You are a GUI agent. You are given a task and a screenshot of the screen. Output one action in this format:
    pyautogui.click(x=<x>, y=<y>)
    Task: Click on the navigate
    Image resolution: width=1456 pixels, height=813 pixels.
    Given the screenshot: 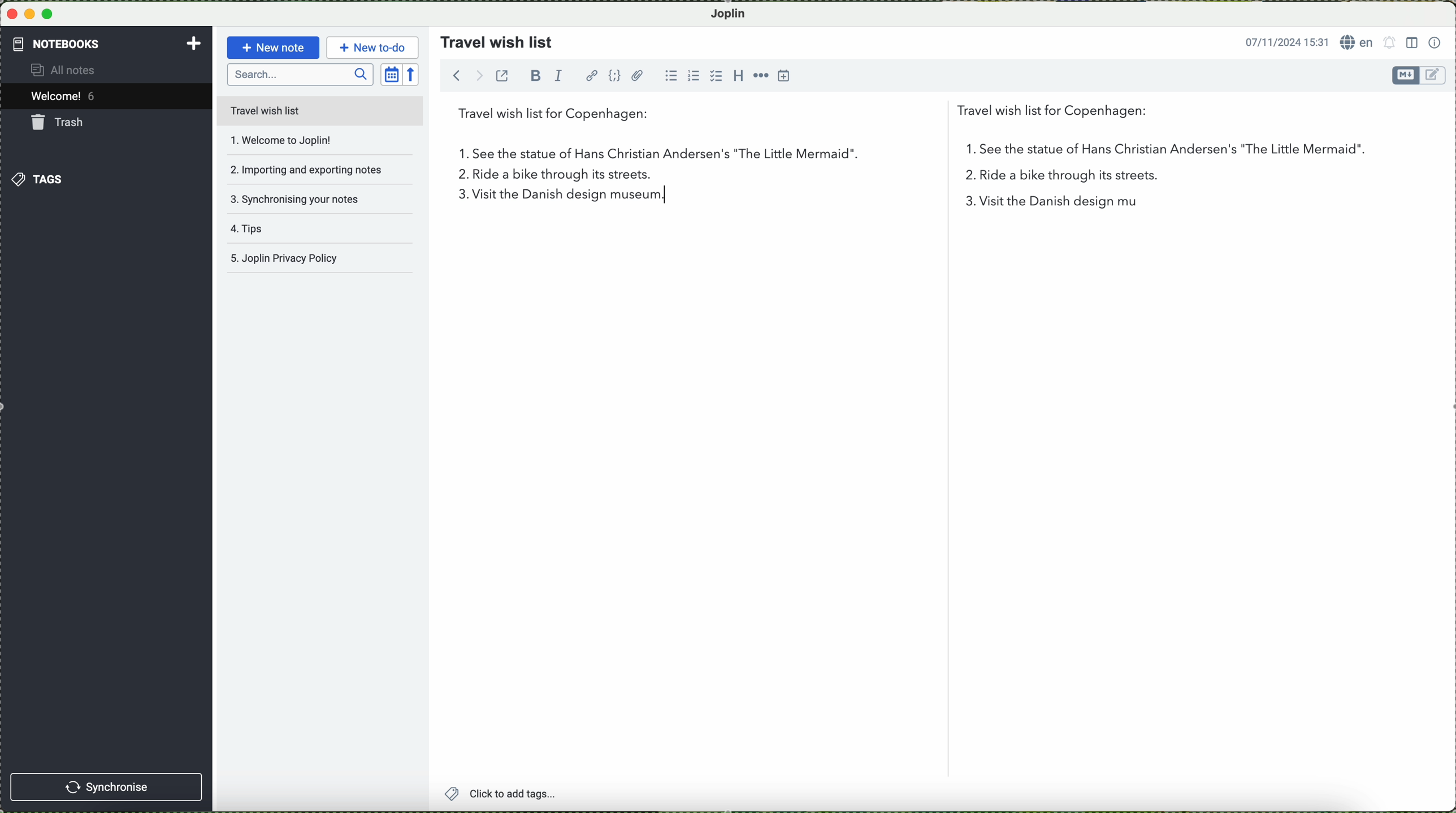 What is the action you would take?
    pyautogui.click(x=461, y=78)
    